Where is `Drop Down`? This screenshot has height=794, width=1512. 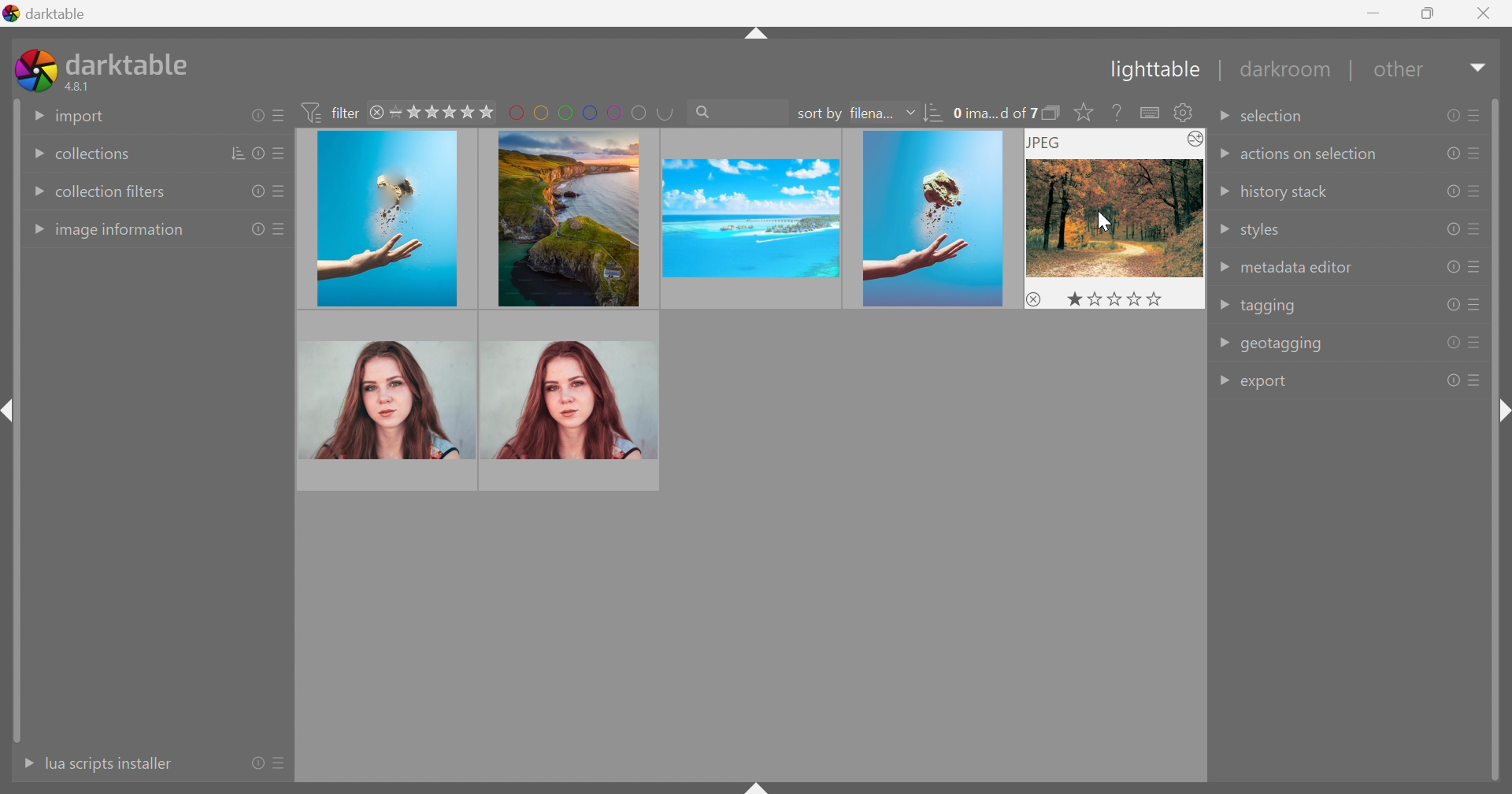
Drop Down is located at coordinates (35, 114).